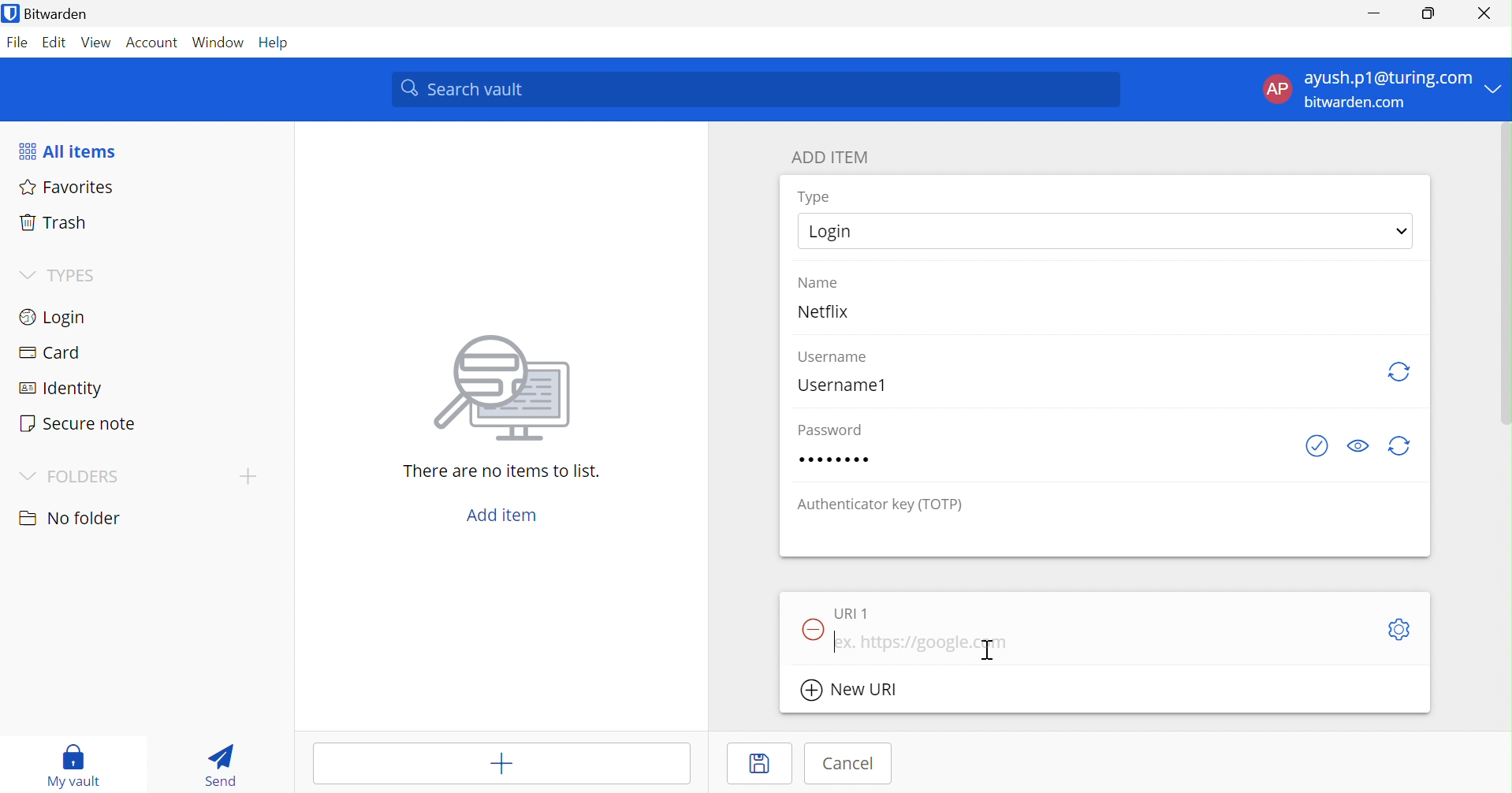 This screenshot has width=1512, height=793. What do you see at coordinates (833, 358) in the screenshot?
I see `Username` at bounding box center [833, 358].